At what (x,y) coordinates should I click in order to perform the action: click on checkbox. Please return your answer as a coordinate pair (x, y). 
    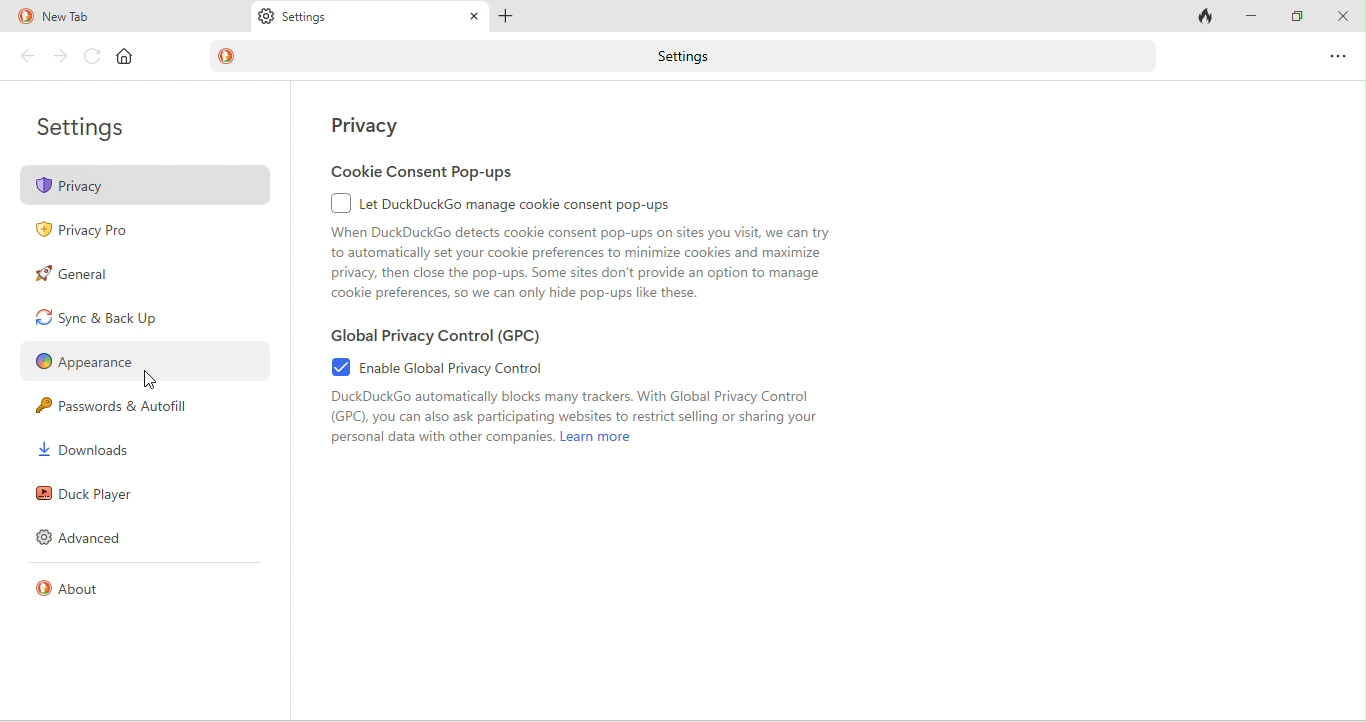
    Looking at the image, I should click on (337, 202).